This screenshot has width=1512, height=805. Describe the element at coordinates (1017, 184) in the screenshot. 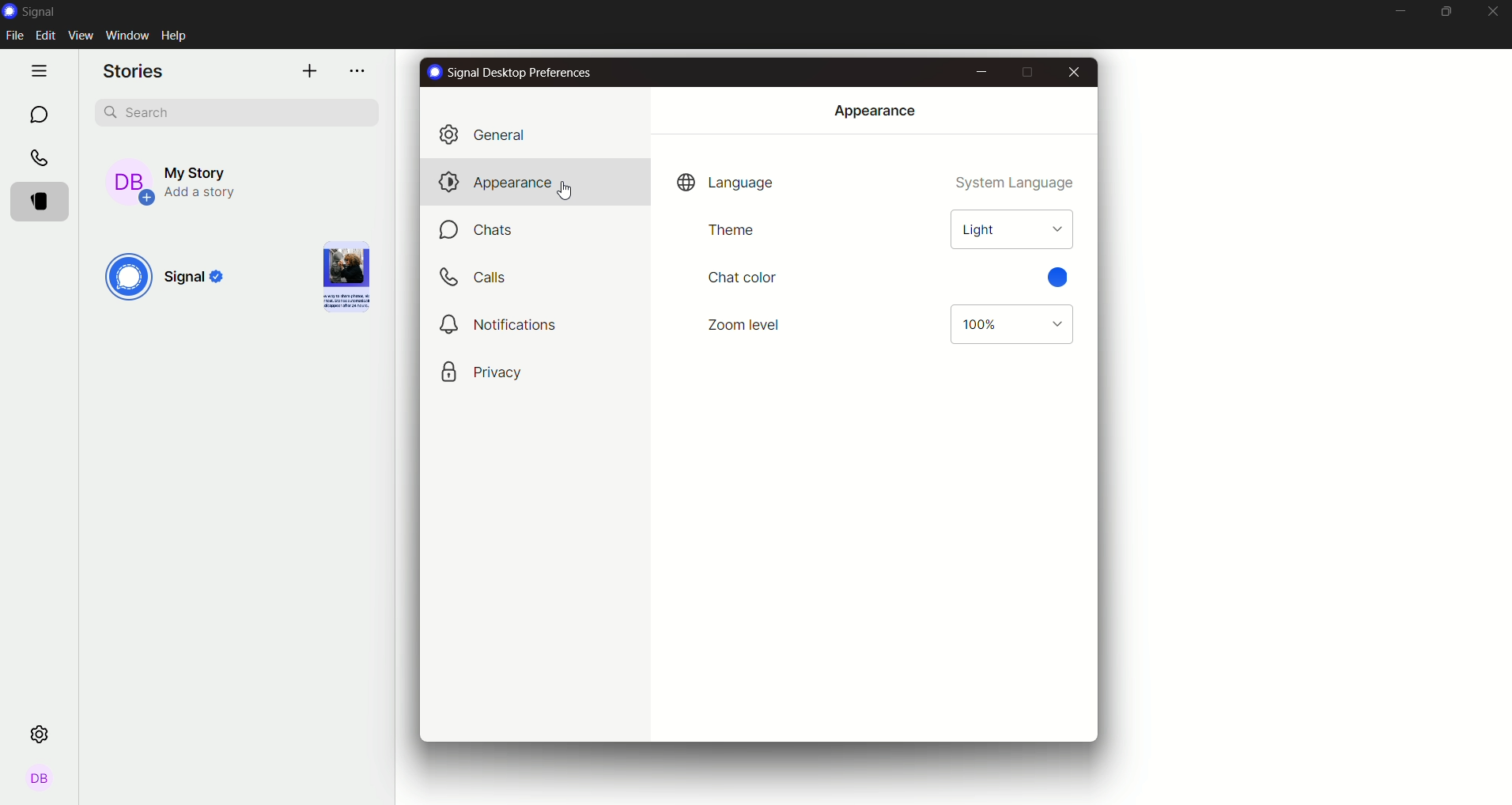

I see `system language` at that location.